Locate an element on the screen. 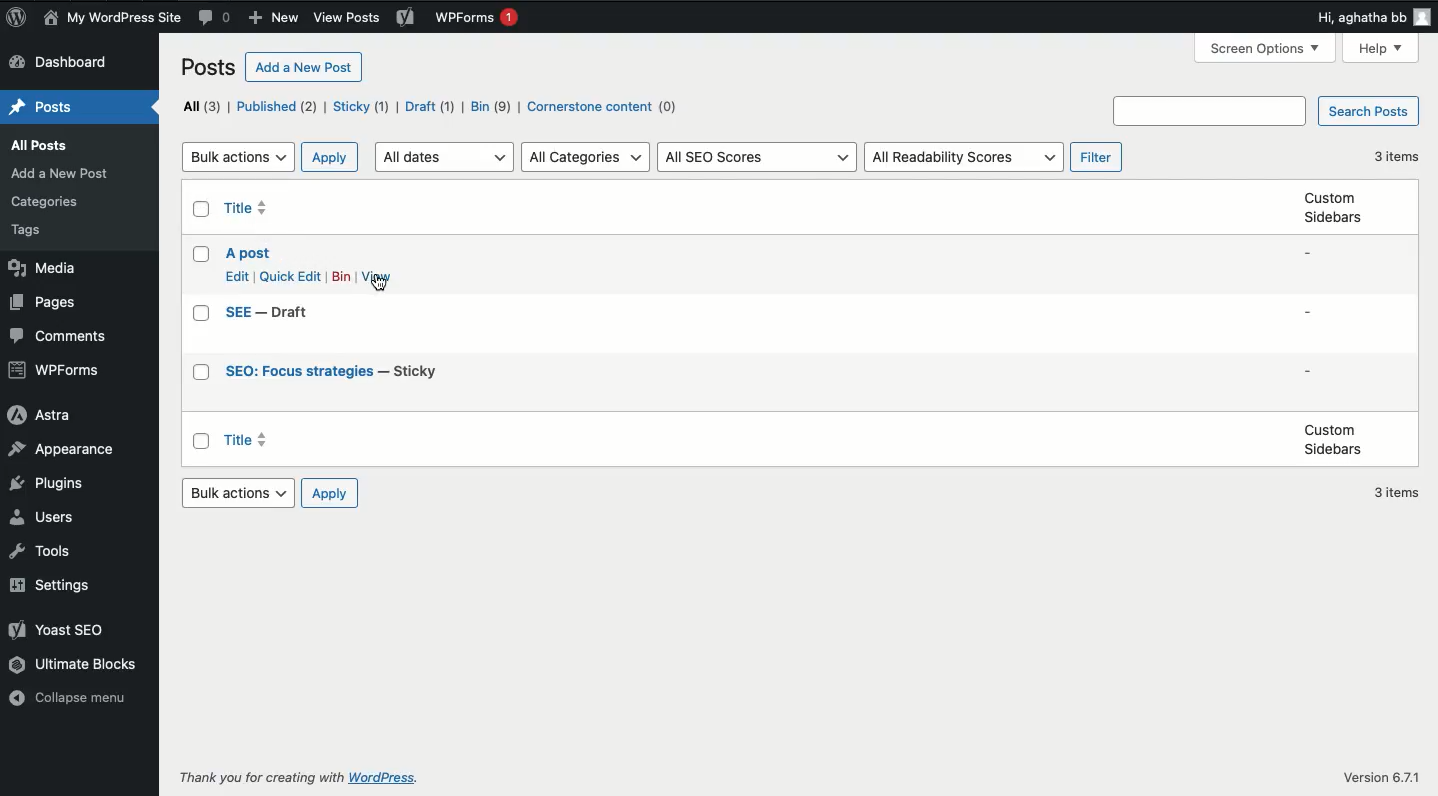  Pages is located at coordinates (39, 305).